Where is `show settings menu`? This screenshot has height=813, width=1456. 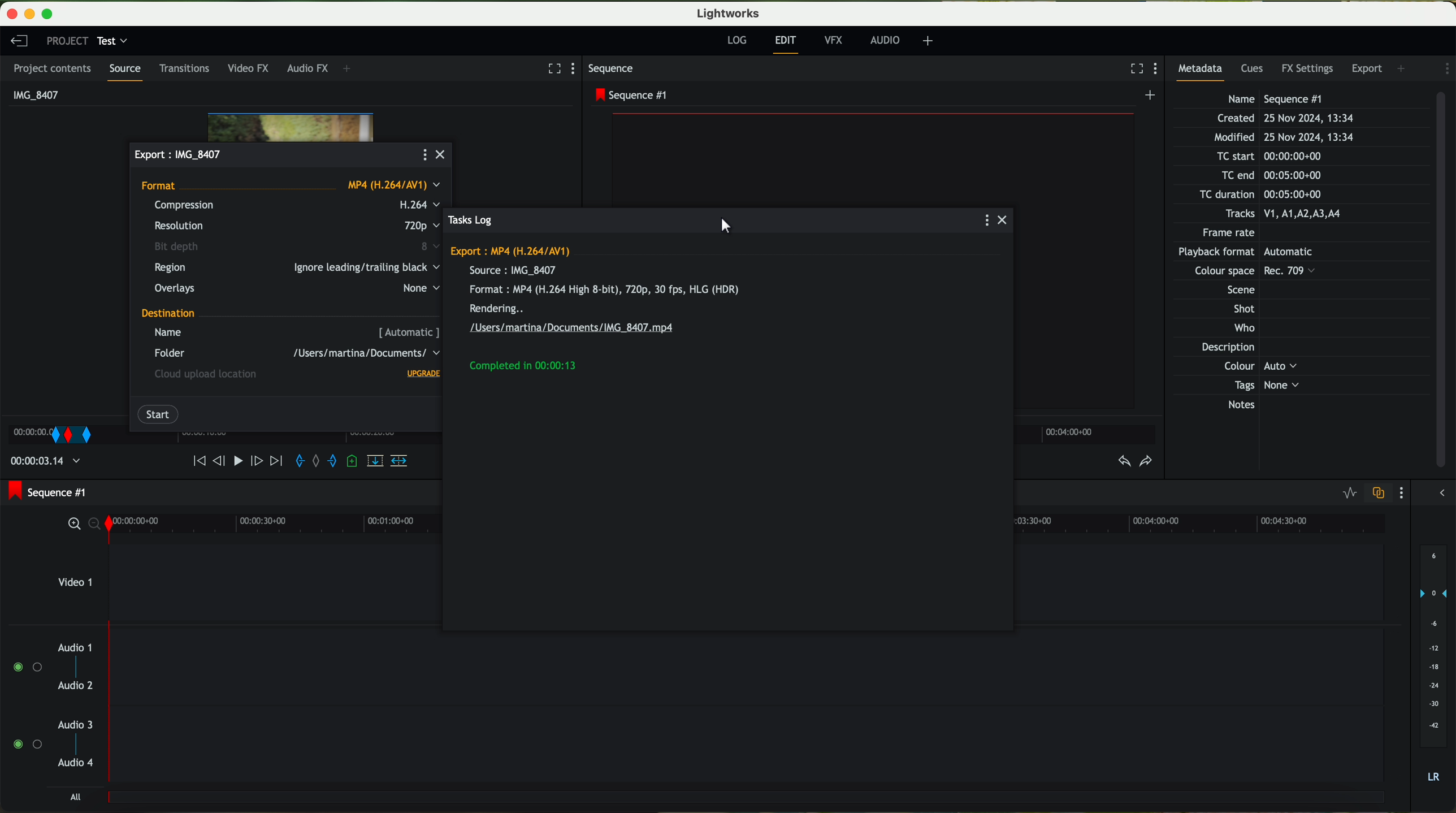
show settings menu is located at coordinates (578, 69).